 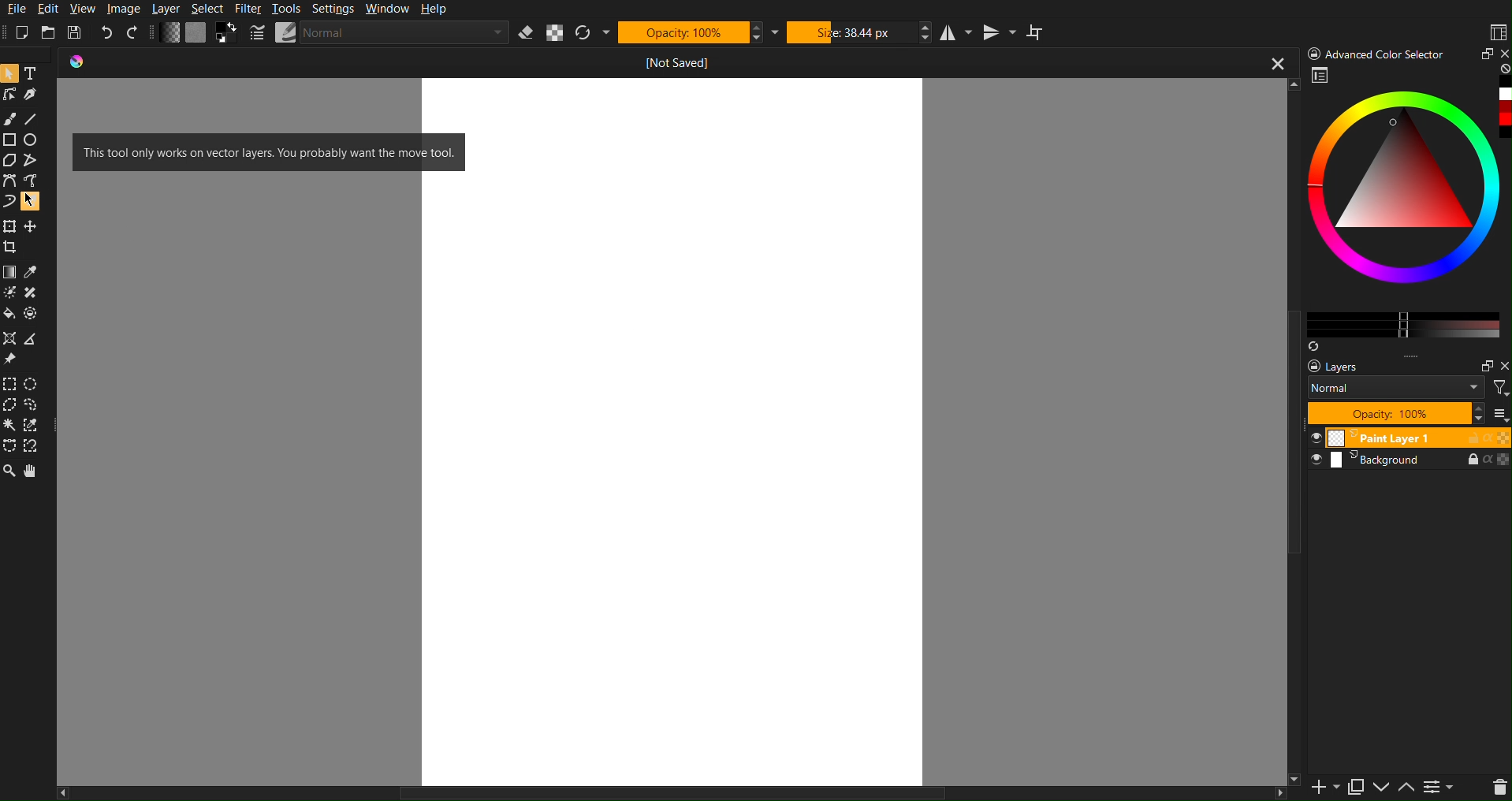 I want to click on Line options, so click(x=286, y=32).